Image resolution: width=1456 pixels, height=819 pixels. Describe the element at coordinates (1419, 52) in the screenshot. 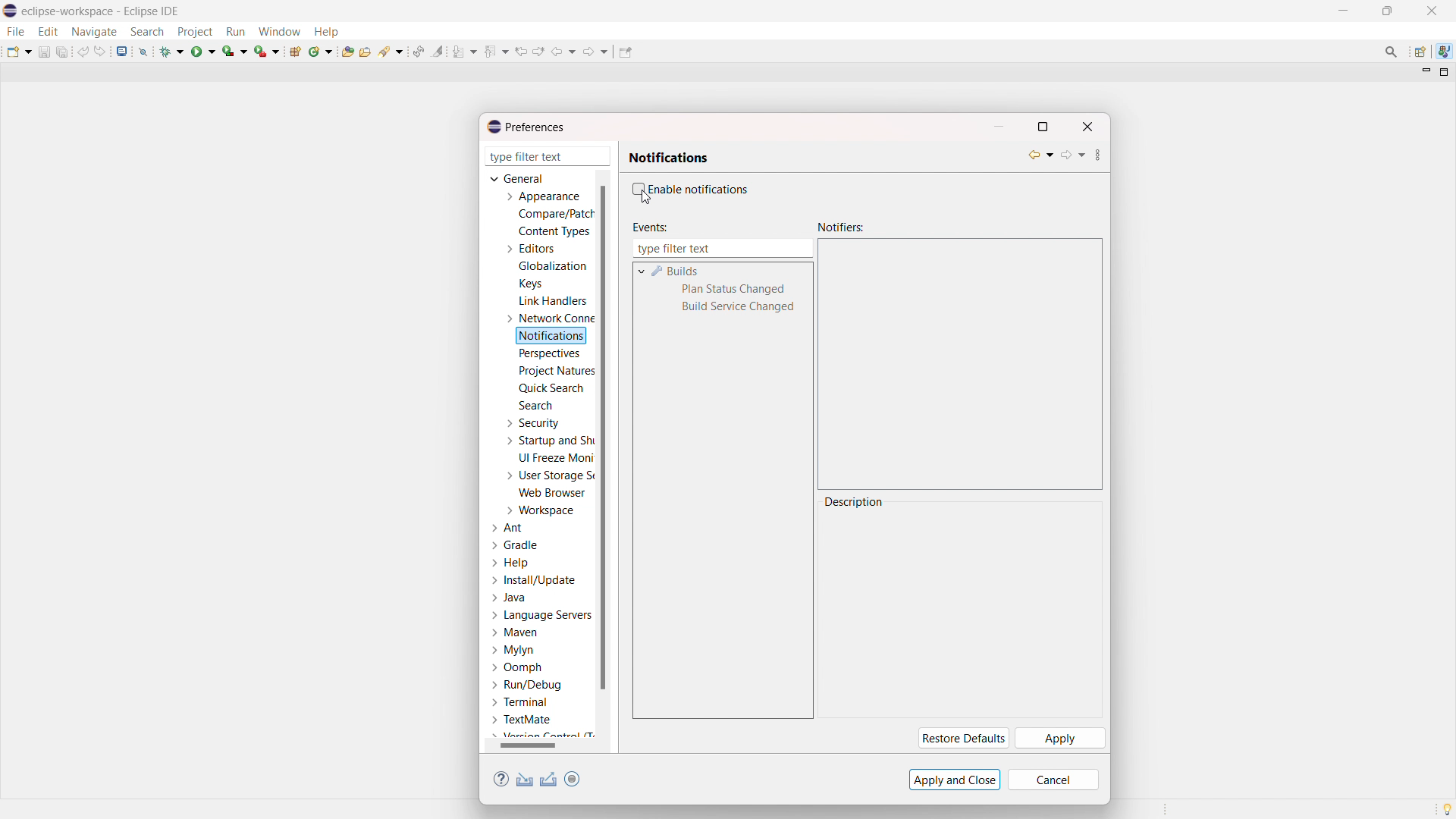

I see `open perspective` at that location.